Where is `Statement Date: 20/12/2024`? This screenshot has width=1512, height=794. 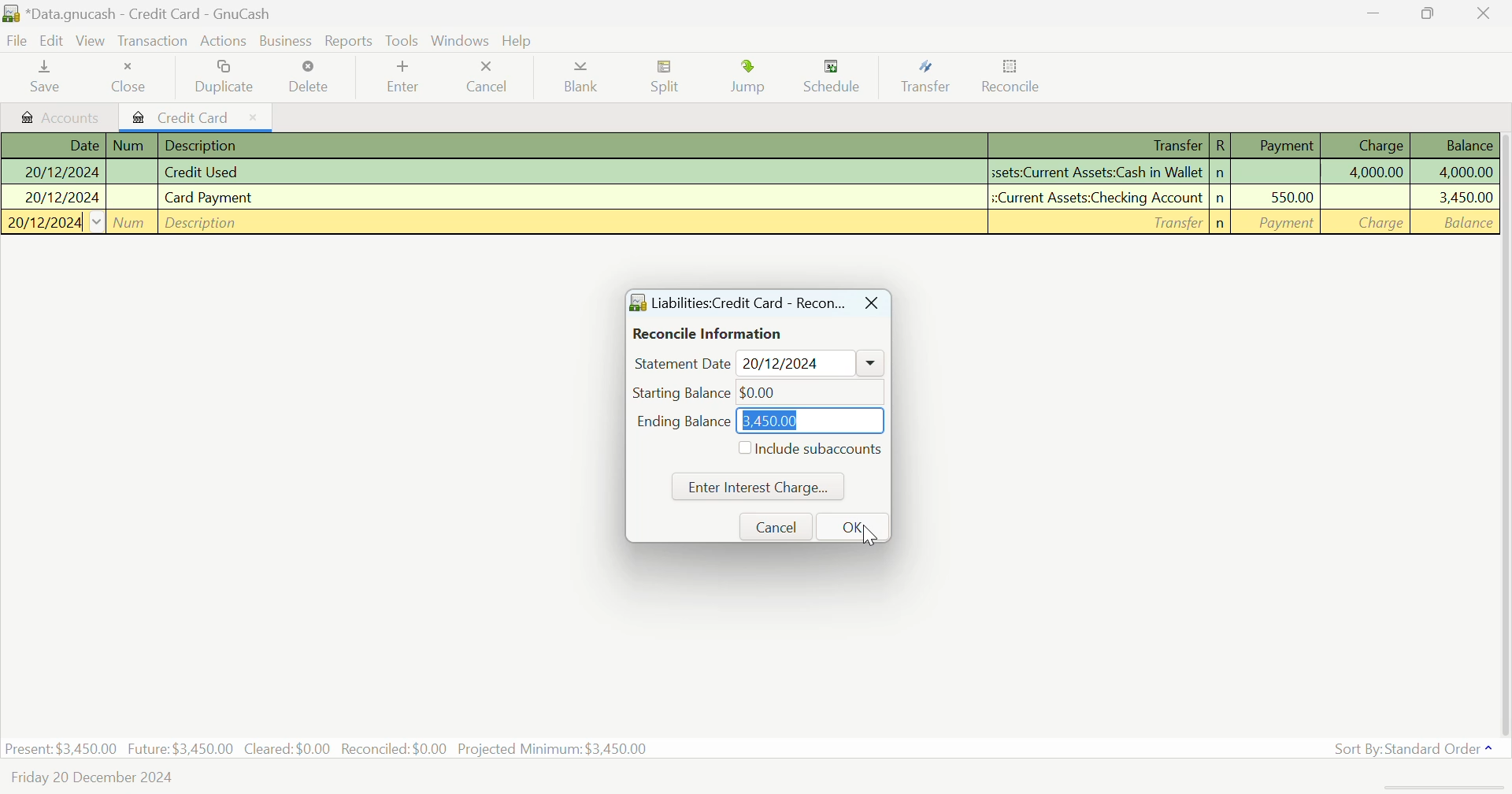
Statement Date: 20/12/2024 is located at coordinates (757, 365).